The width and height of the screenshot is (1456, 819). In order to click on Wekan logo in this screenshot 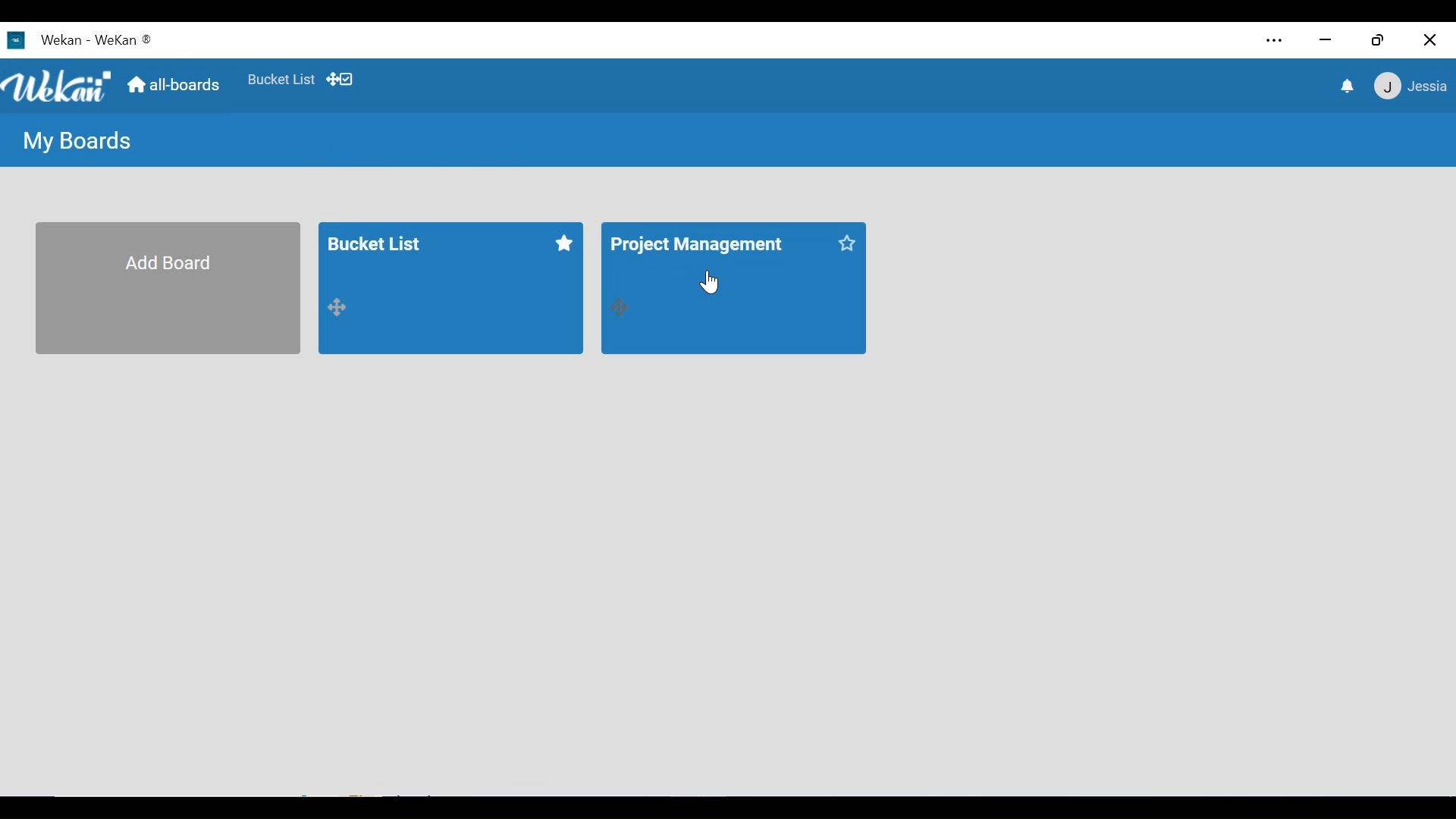, I will do `click(60, 86)`.